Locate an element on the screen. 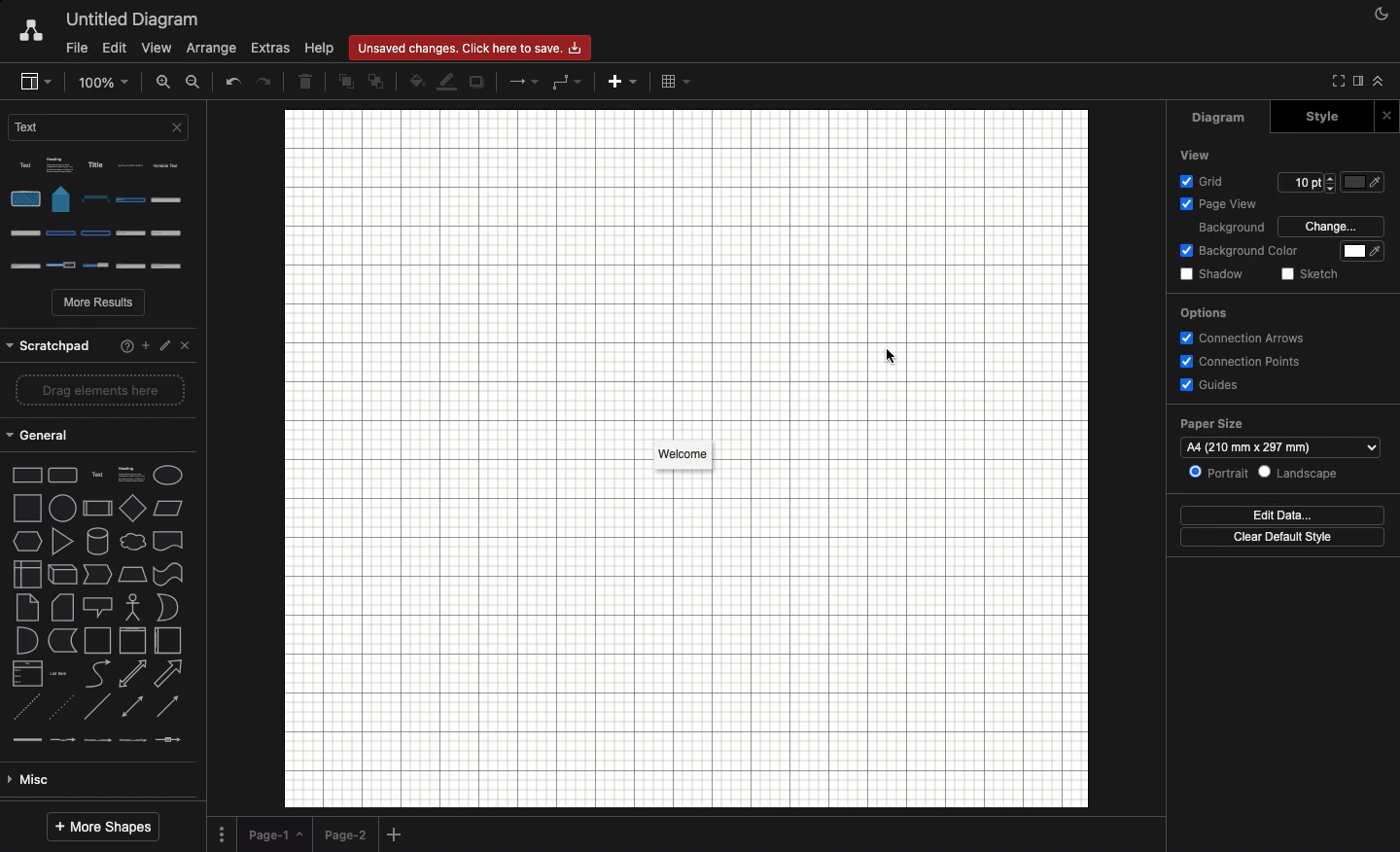  Text is located at coordinates (102, 132).